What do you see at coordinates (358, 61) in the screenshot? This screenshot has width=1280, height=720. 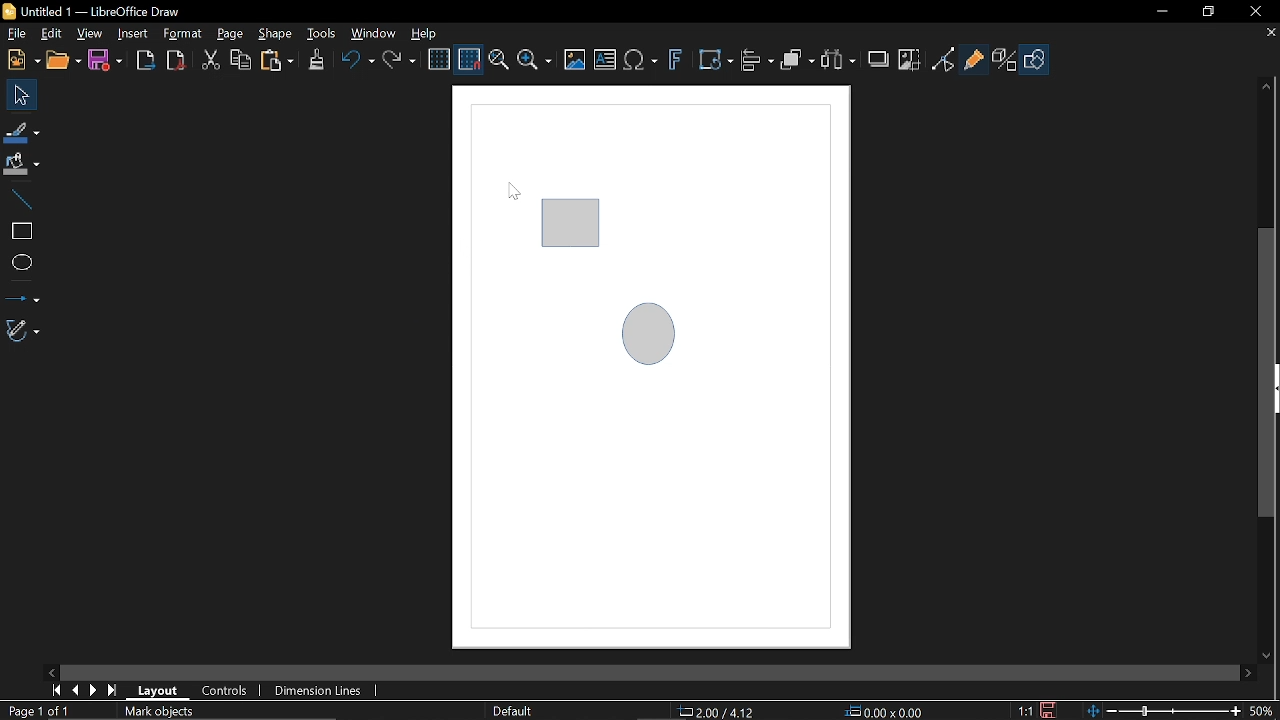 I see `Undo` at bounding box center [358, 61].